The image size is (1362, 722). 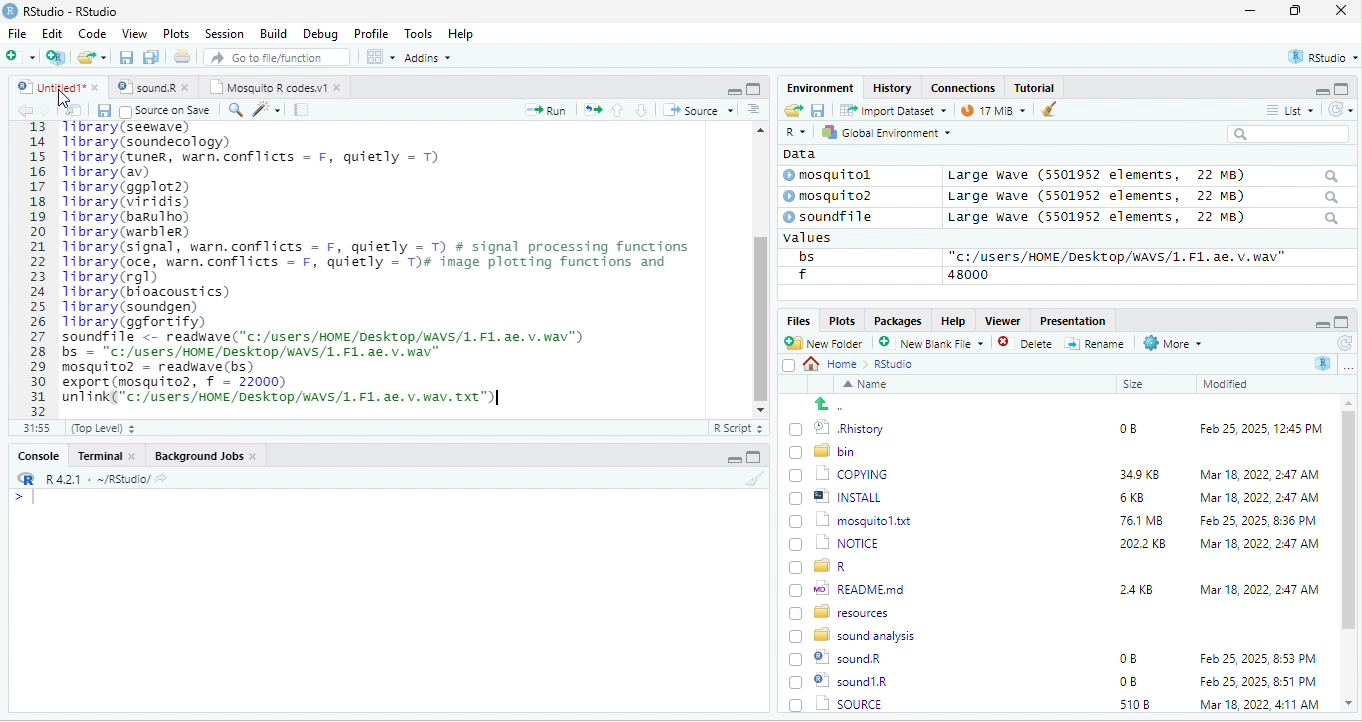 I want to click on ‘Mar 18, 2022, 2:47 AM, so click(x=1258, y=544).